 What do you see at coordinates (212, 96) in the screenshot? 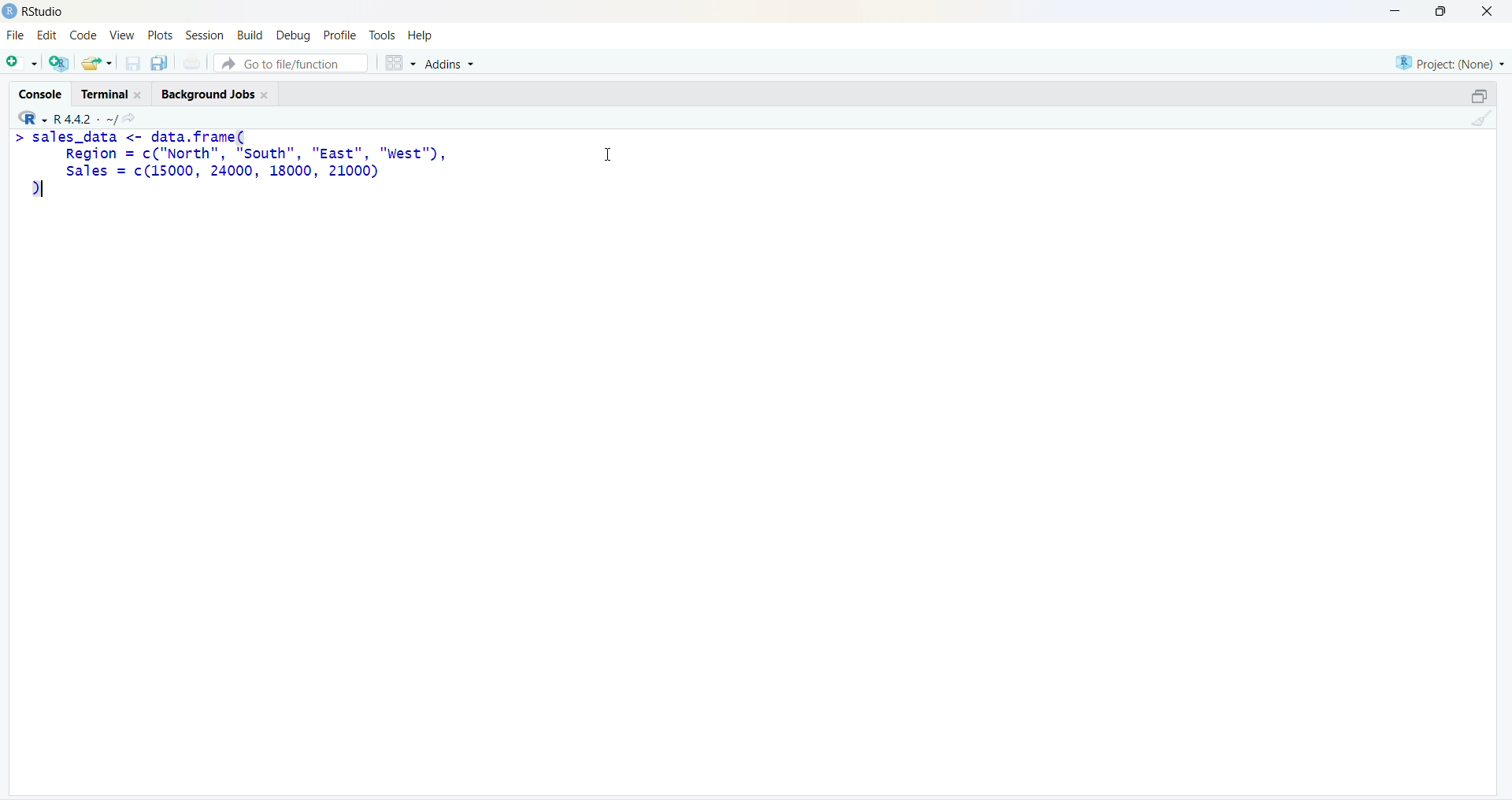
I see `Background Jobs` at bounding box center [212, 96].